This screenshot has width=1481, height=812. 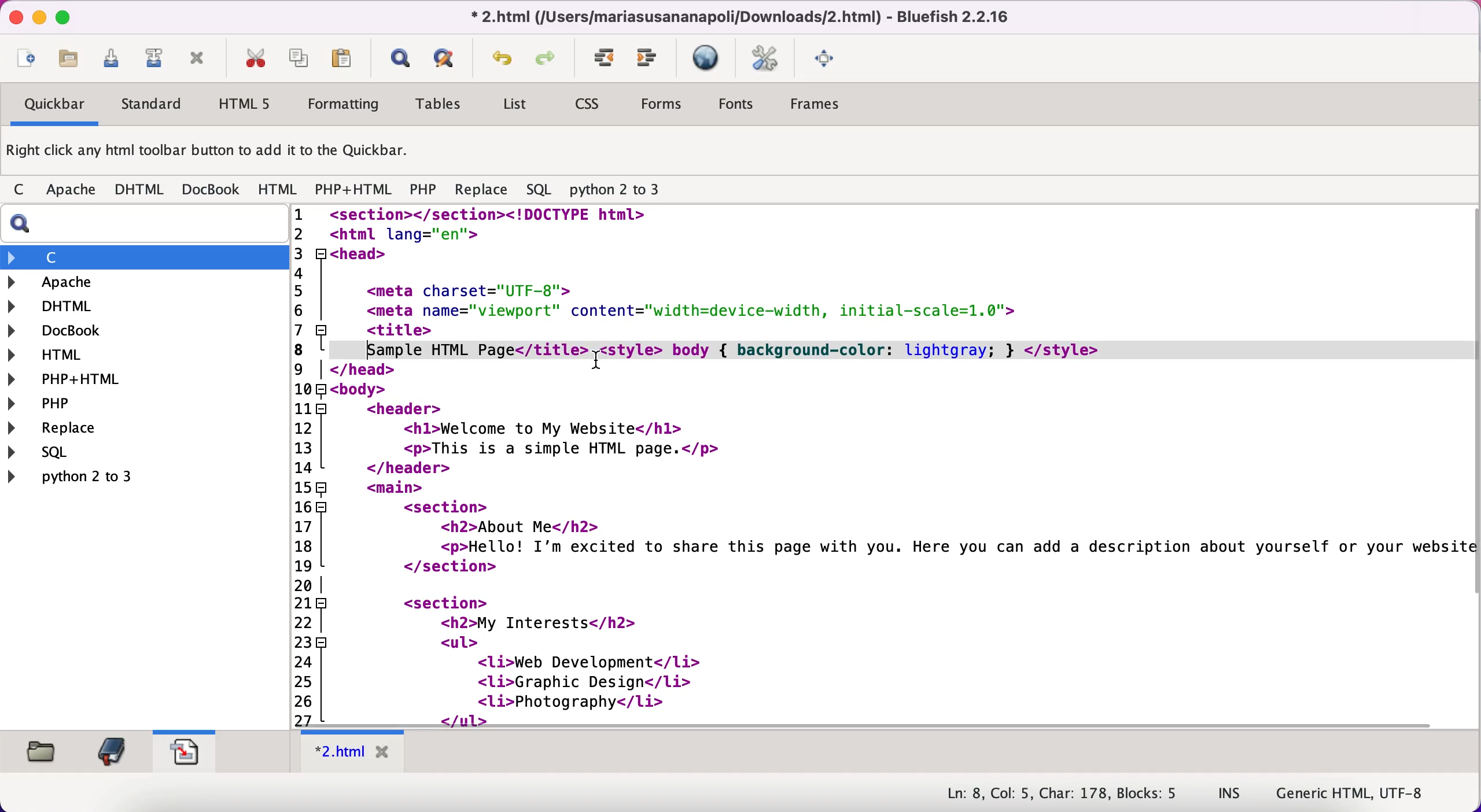 I want to click on php, so click(x=72, y=403).